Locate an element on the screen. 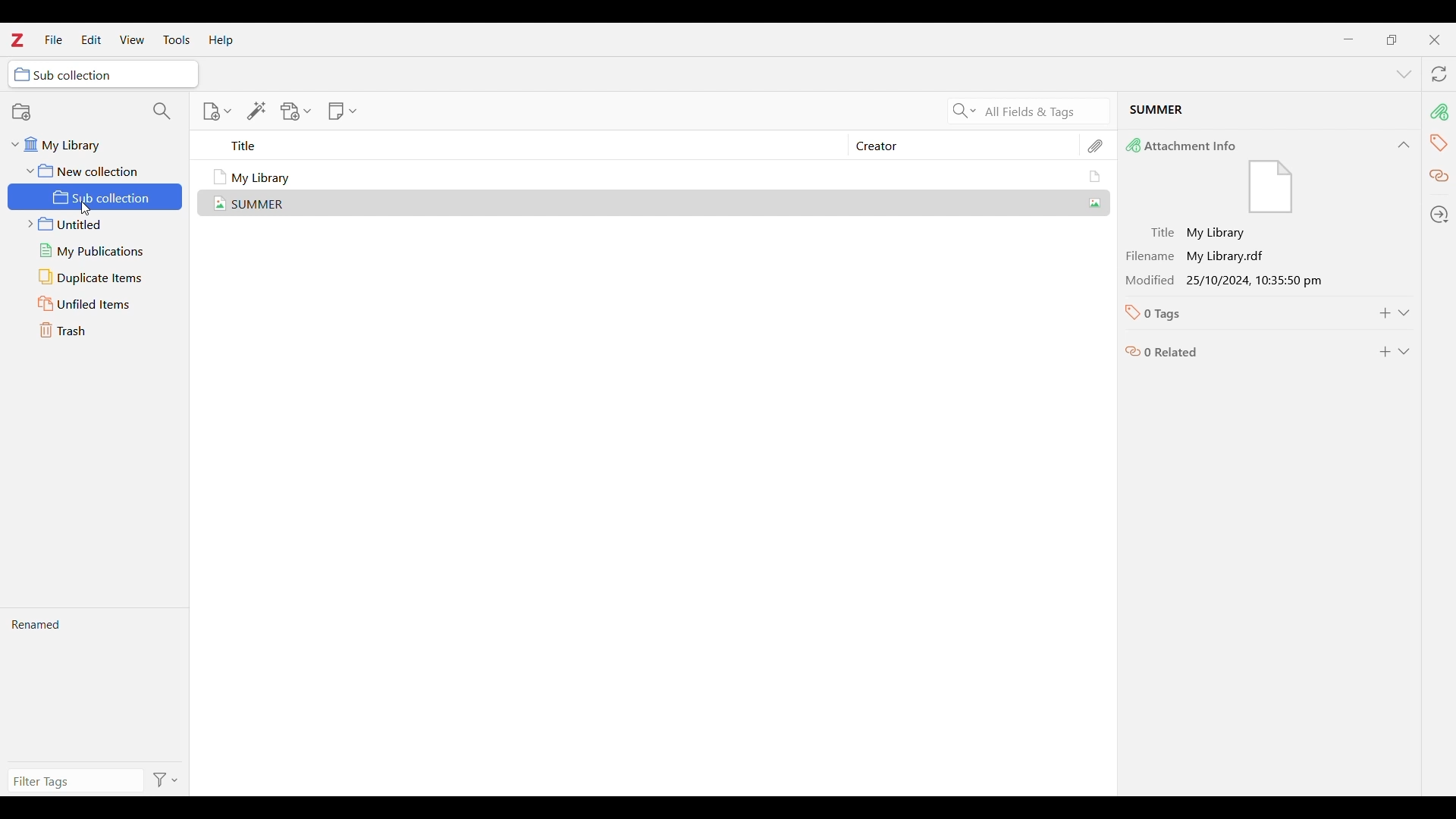 This screenshot has height=819, width=1456. Edit menu is located at coordinates (91, 39).